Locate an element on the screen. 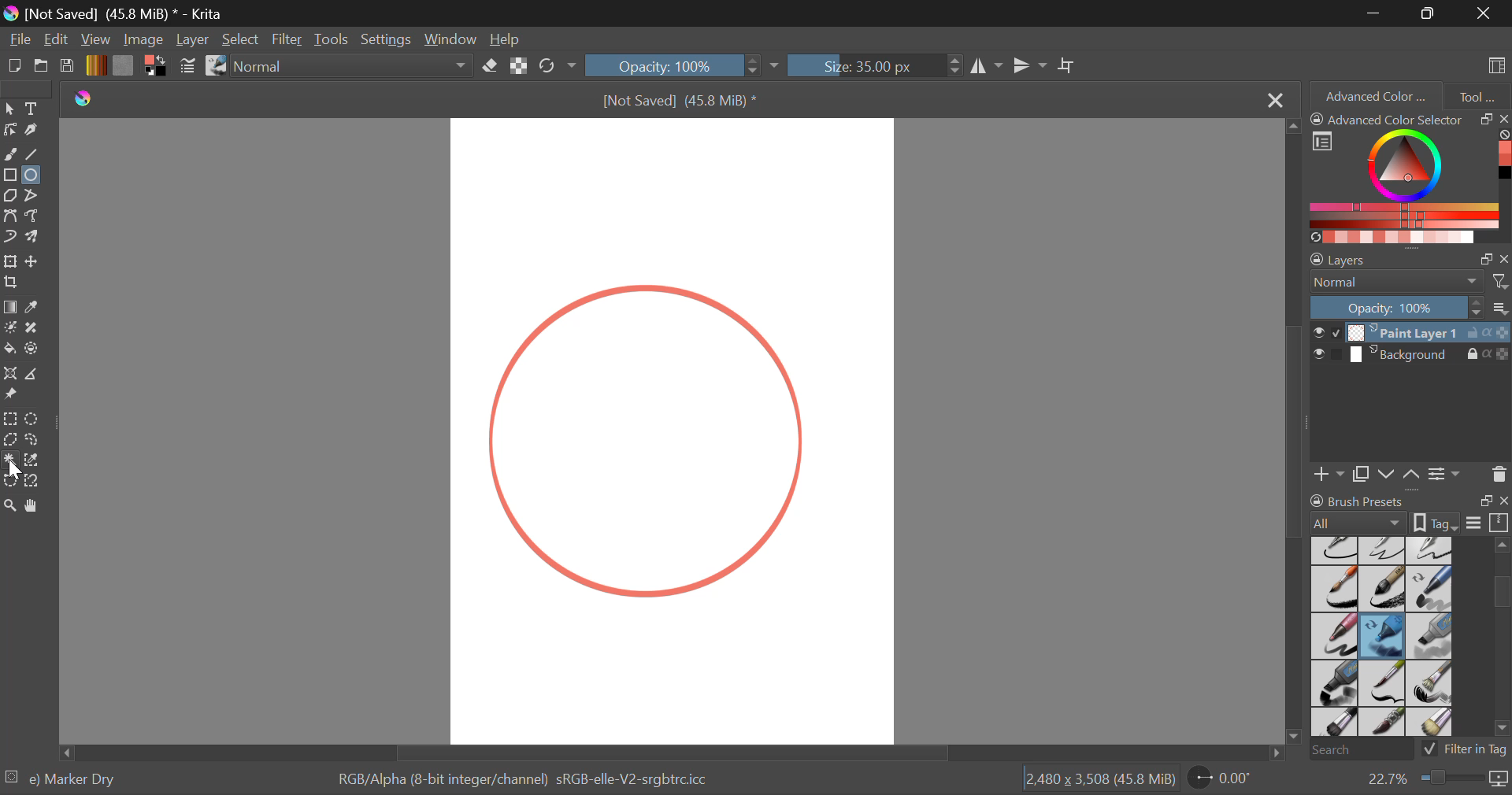 This screenshot has height=795, width=1512. Magnetic Curve Selection is located at coordinates (38, 481).